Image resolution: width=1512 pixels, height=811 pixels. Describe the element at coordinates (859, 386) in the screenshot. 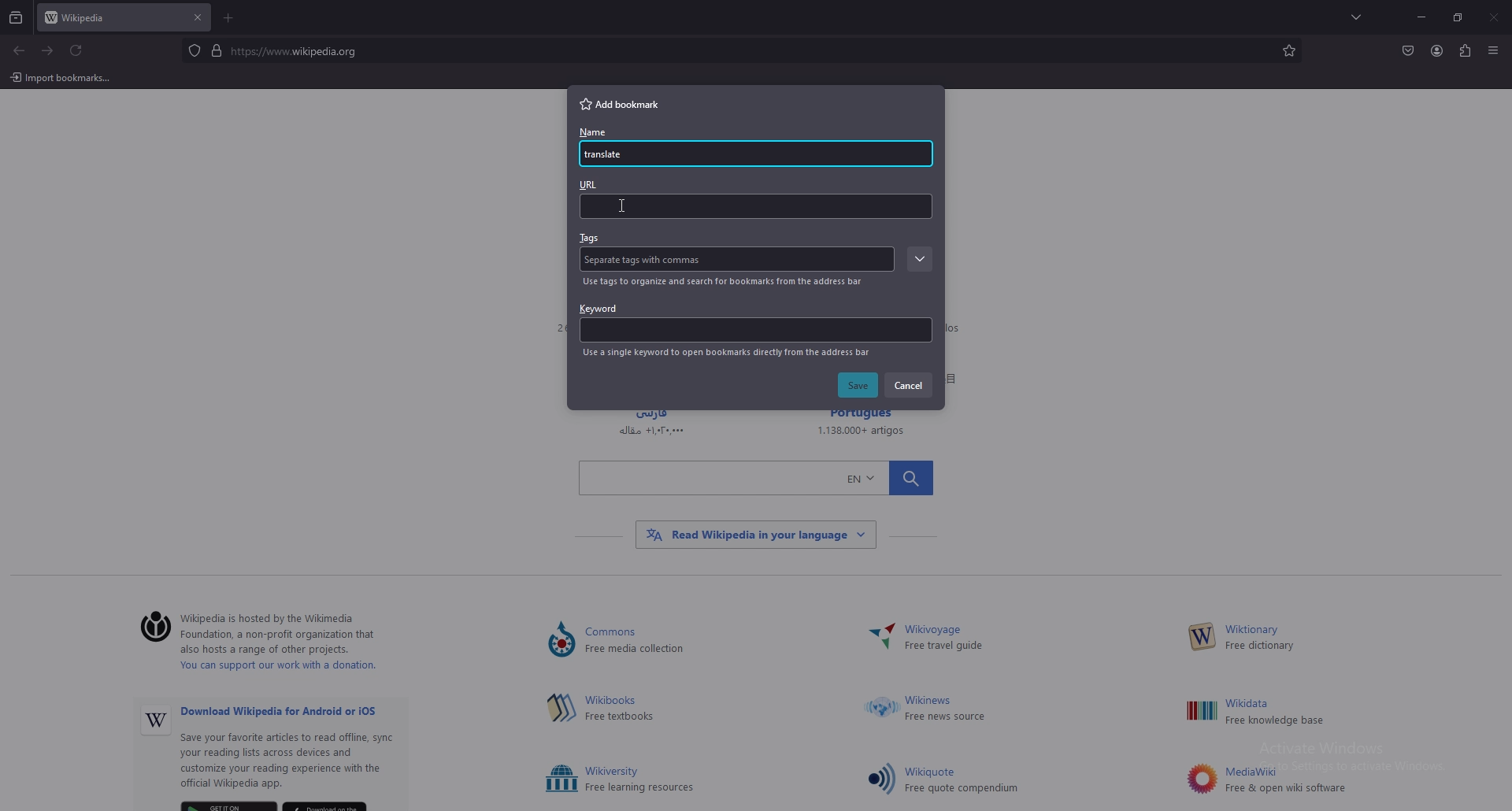

I see `save` at that location.